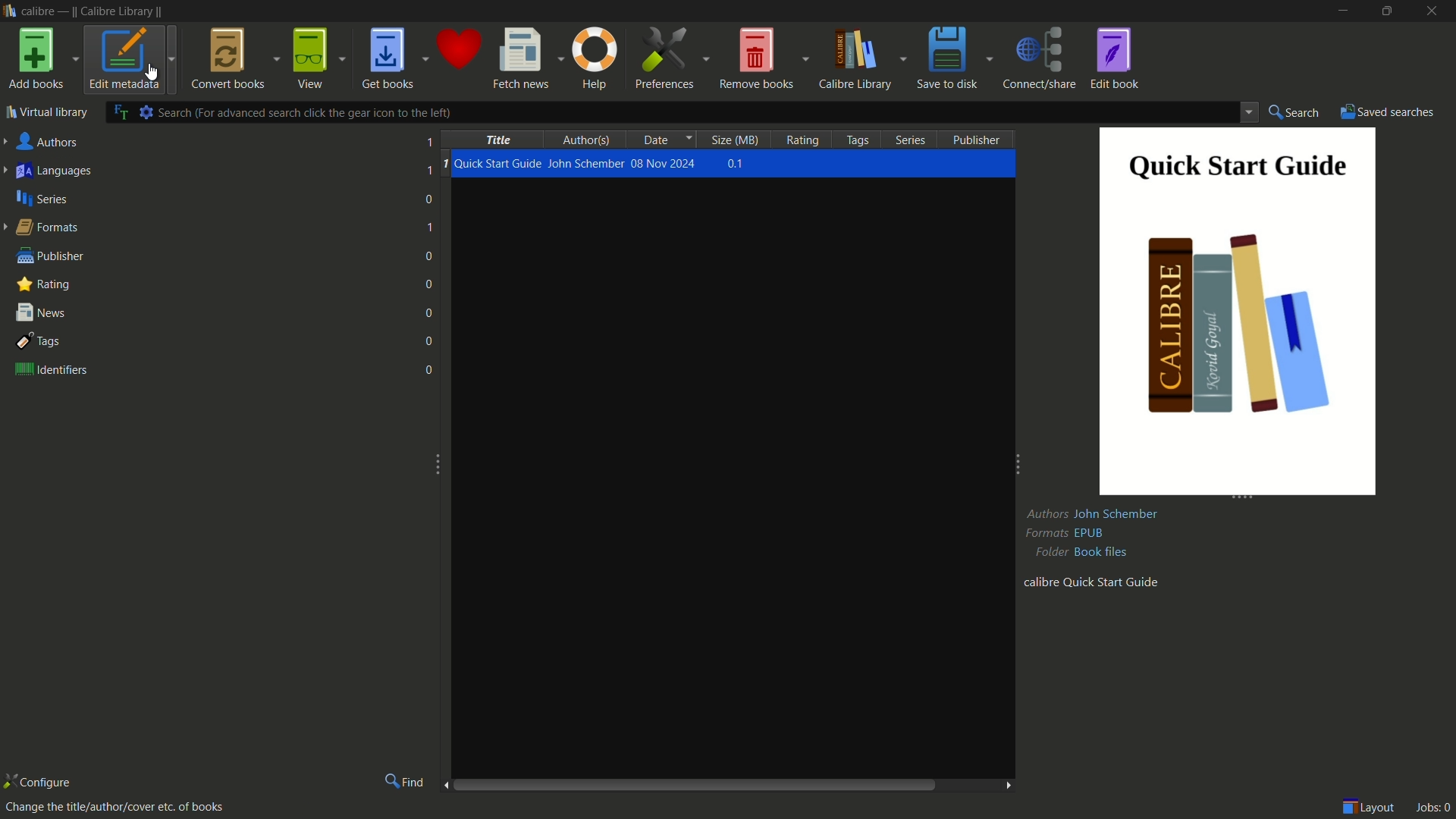 The height and width of the screenshot is (819, 1456). What do you see at coordinates (1039, 58) in the screenshot?
I see `connect` at bounding box center [1039, 58].